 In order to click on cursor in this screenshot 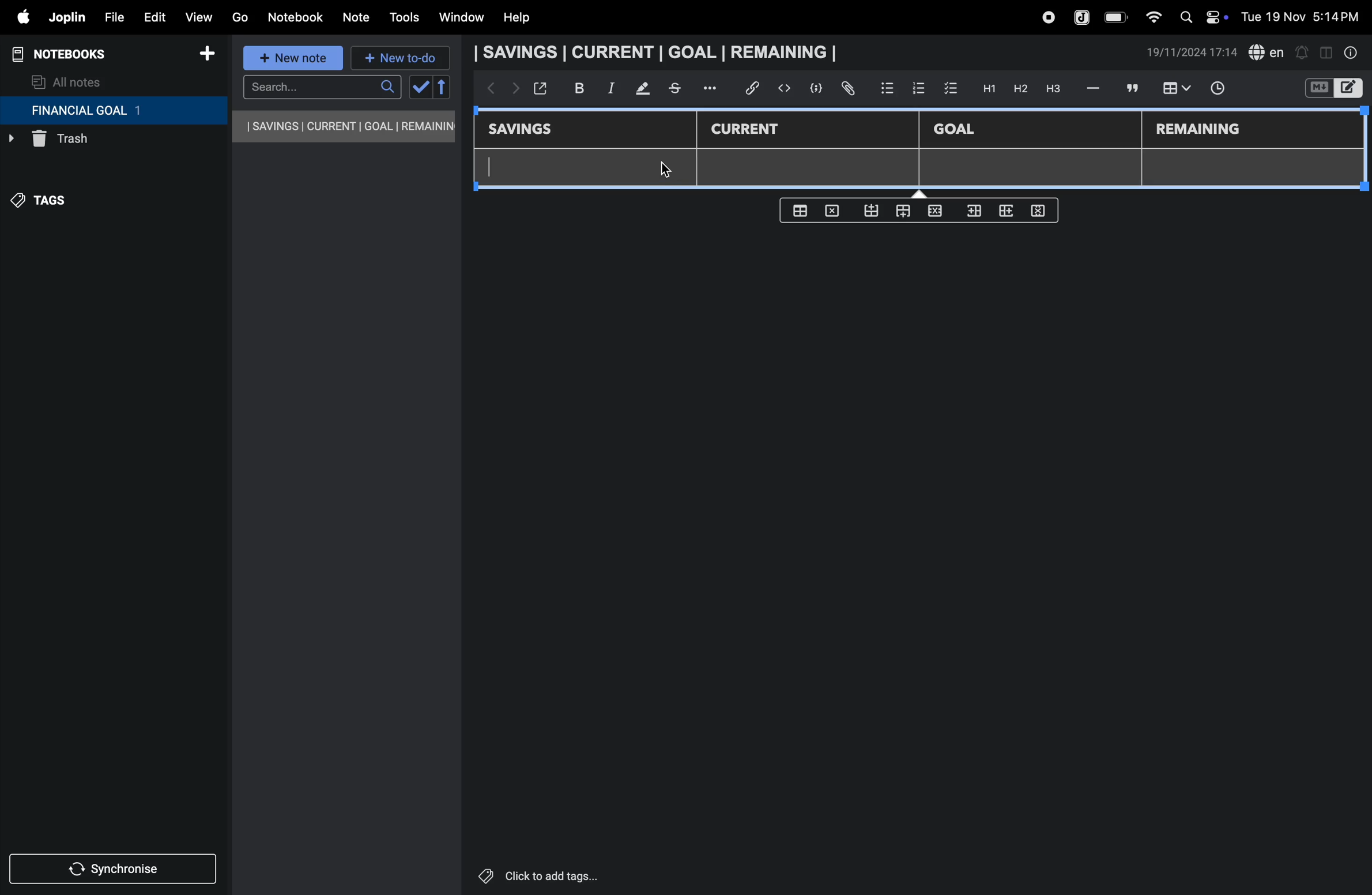, I will do `click(497, 170)`.